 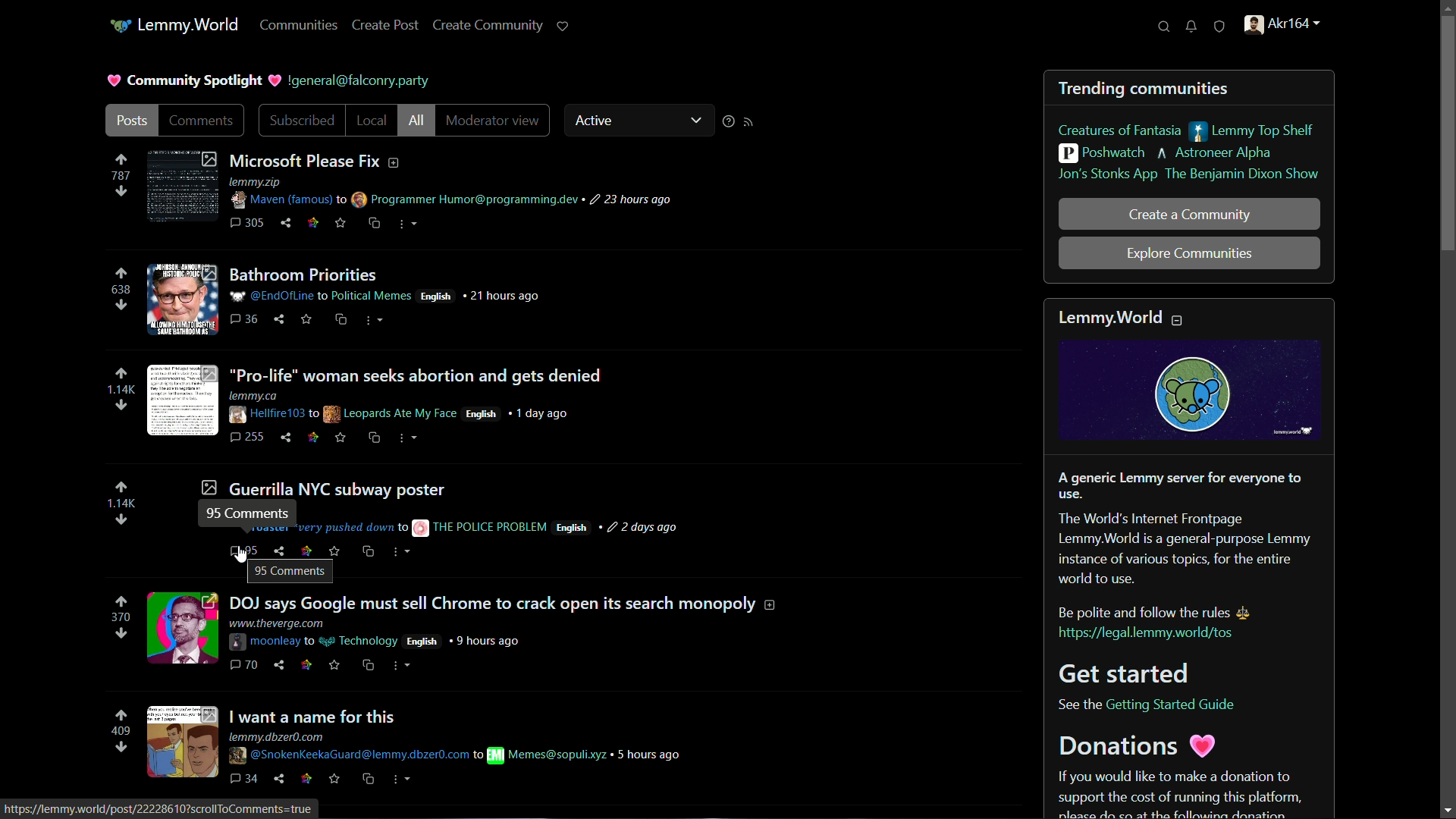 What do you see at coordinates (377, 319) in the screenshot?
I see `options` at bounding box center [377, 319].